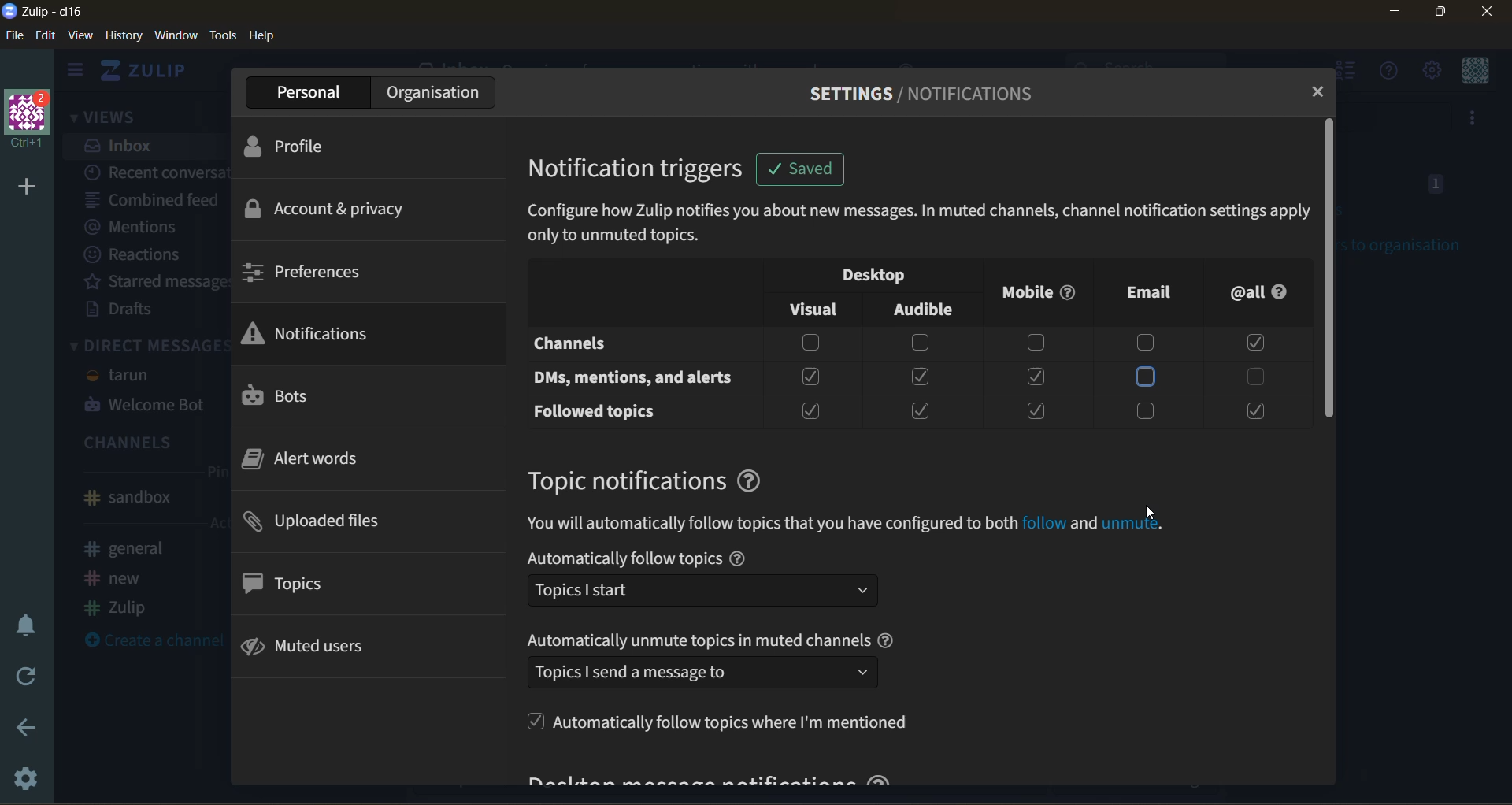 The image size is (1512, 805). Describe the element at coordinates (726, 725) in the screenshot. I see `automatically follow topics where i'm mentioned` at that location.